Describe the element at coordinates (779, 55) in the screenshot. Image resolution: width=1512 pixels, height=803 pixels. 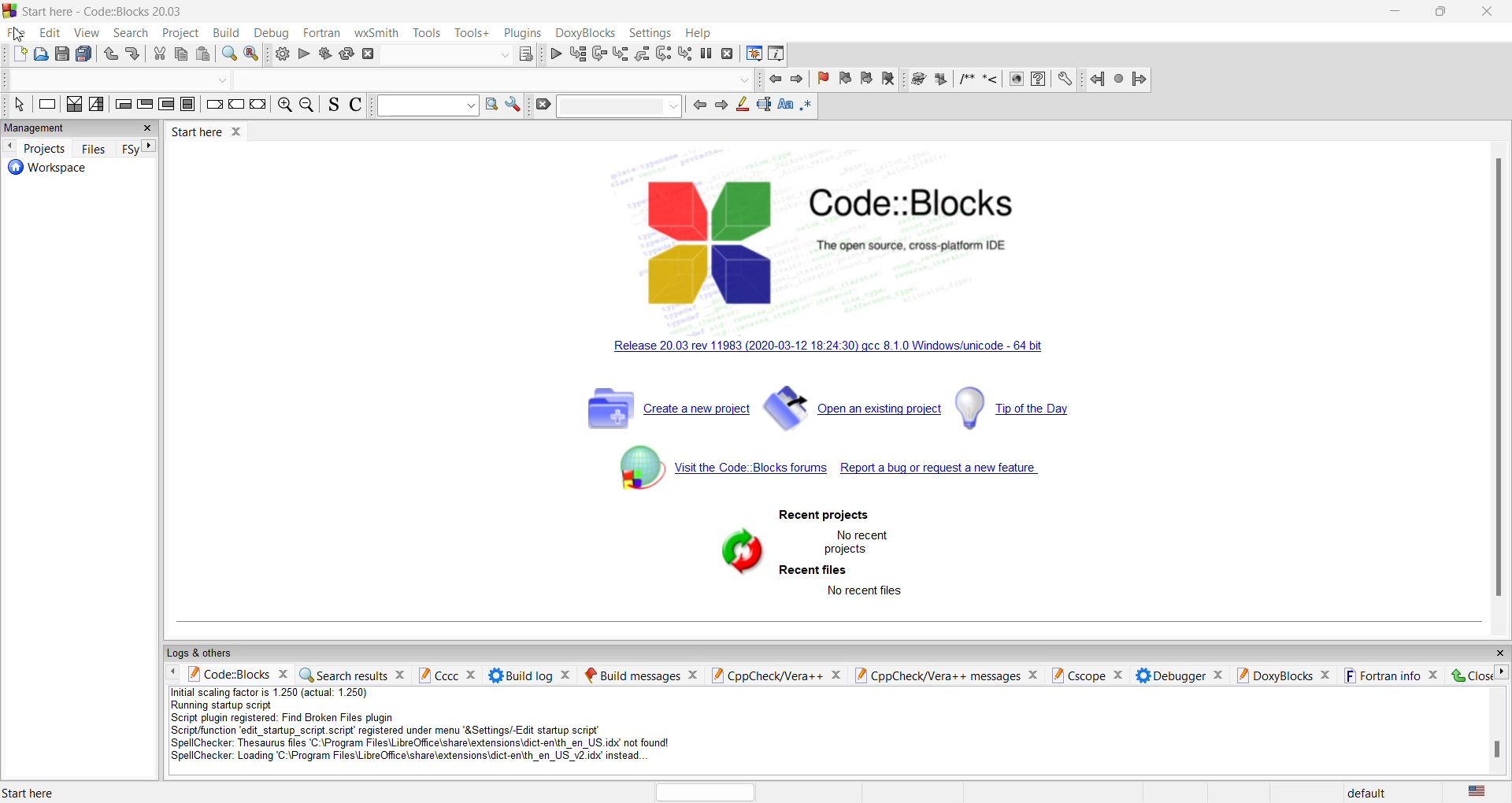
I see `Various info` at that location.